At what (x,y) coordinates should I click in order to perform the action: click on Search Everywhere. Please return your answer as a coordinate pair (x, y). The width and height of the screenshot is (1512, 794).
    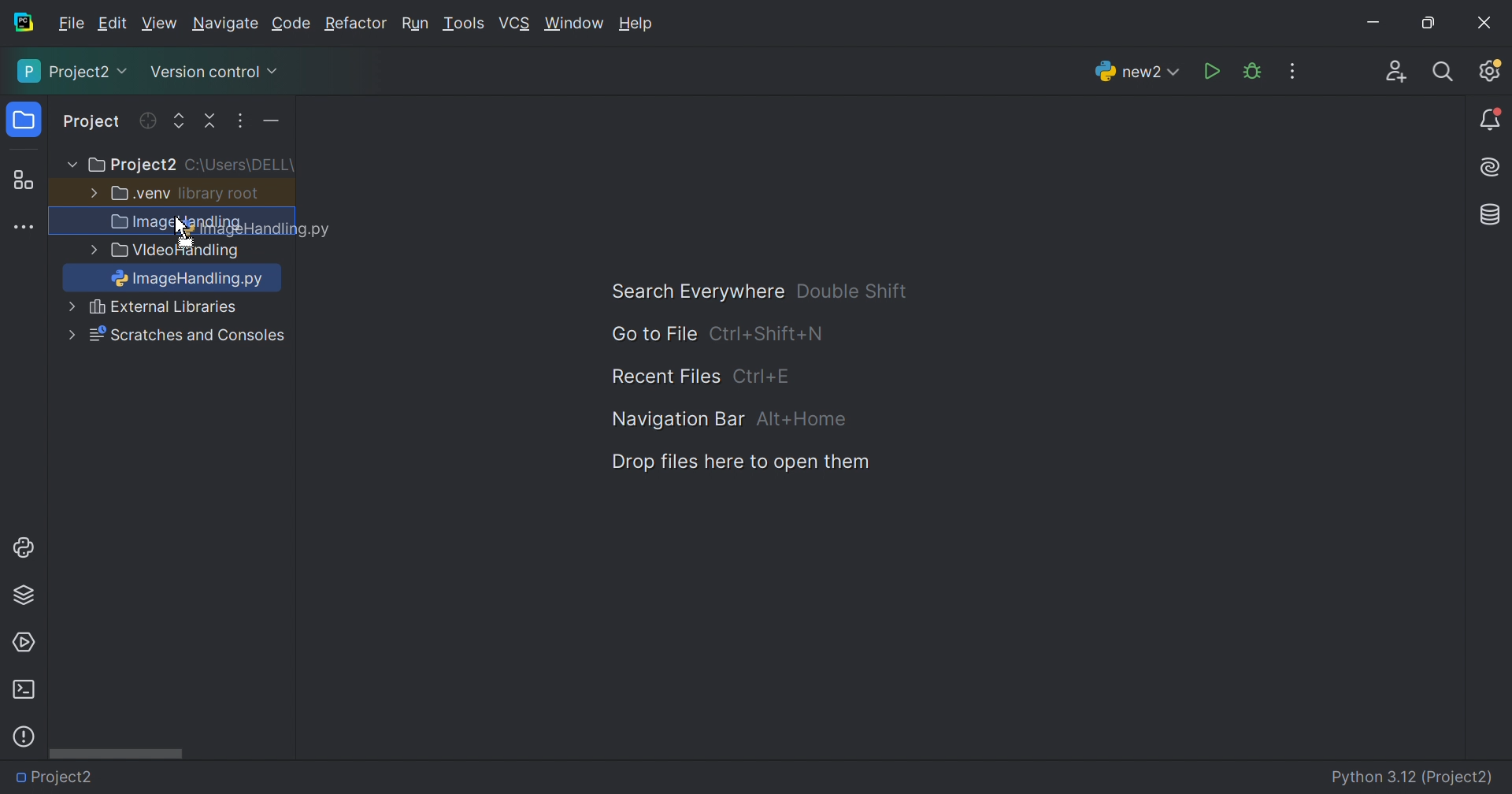
    Looking at the image, I should click on (690, 292).